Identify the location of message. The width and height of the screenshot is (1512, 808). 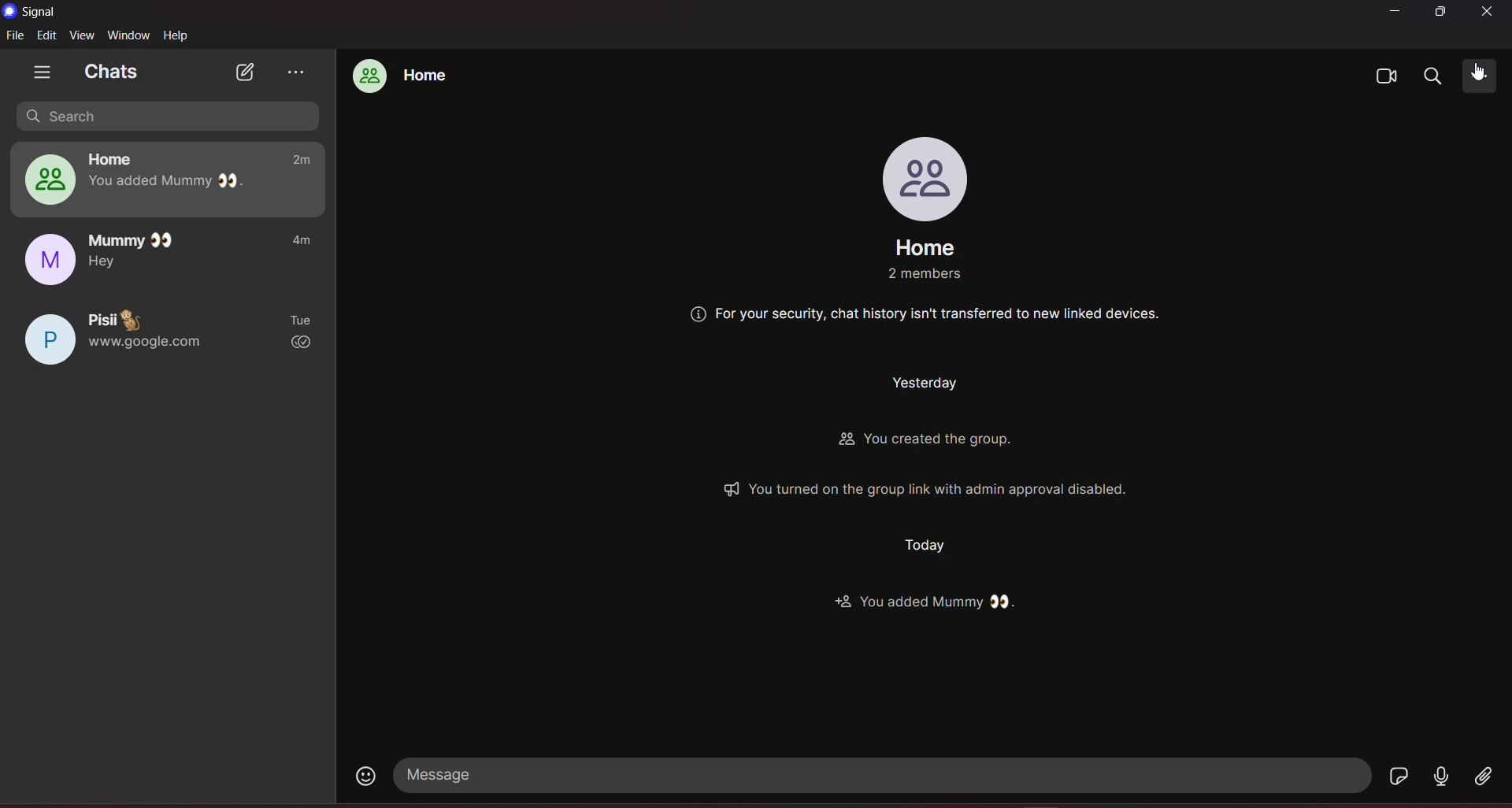
(884, 775).